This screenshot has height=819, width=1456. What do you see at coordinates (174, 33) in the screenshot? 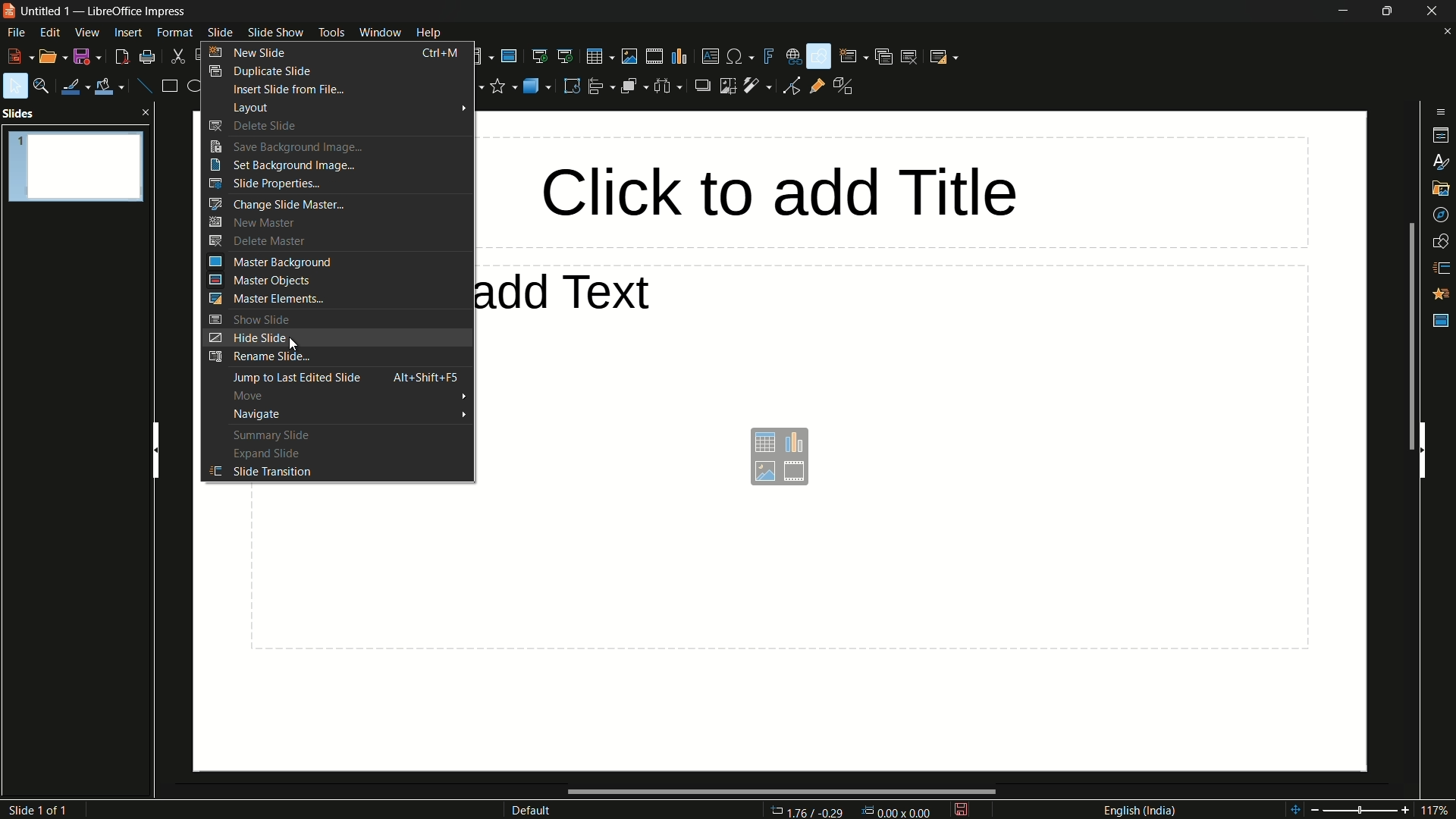
I see `format menu` at bounding box center [174, 33].